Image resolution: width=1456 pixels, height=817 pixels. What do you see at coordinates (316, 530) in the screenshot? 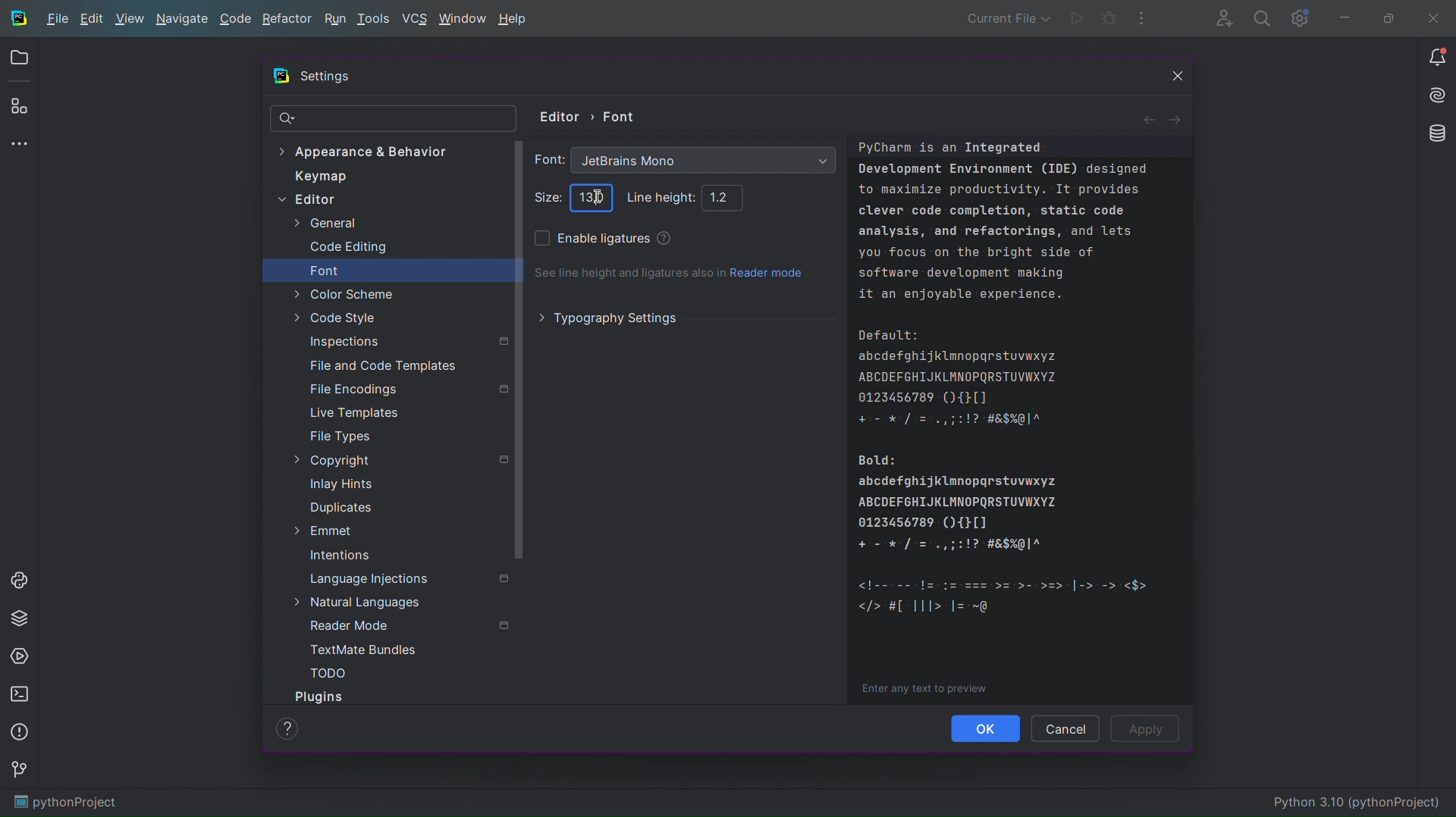
I see `Emmet` at bounding box center [316, 530].